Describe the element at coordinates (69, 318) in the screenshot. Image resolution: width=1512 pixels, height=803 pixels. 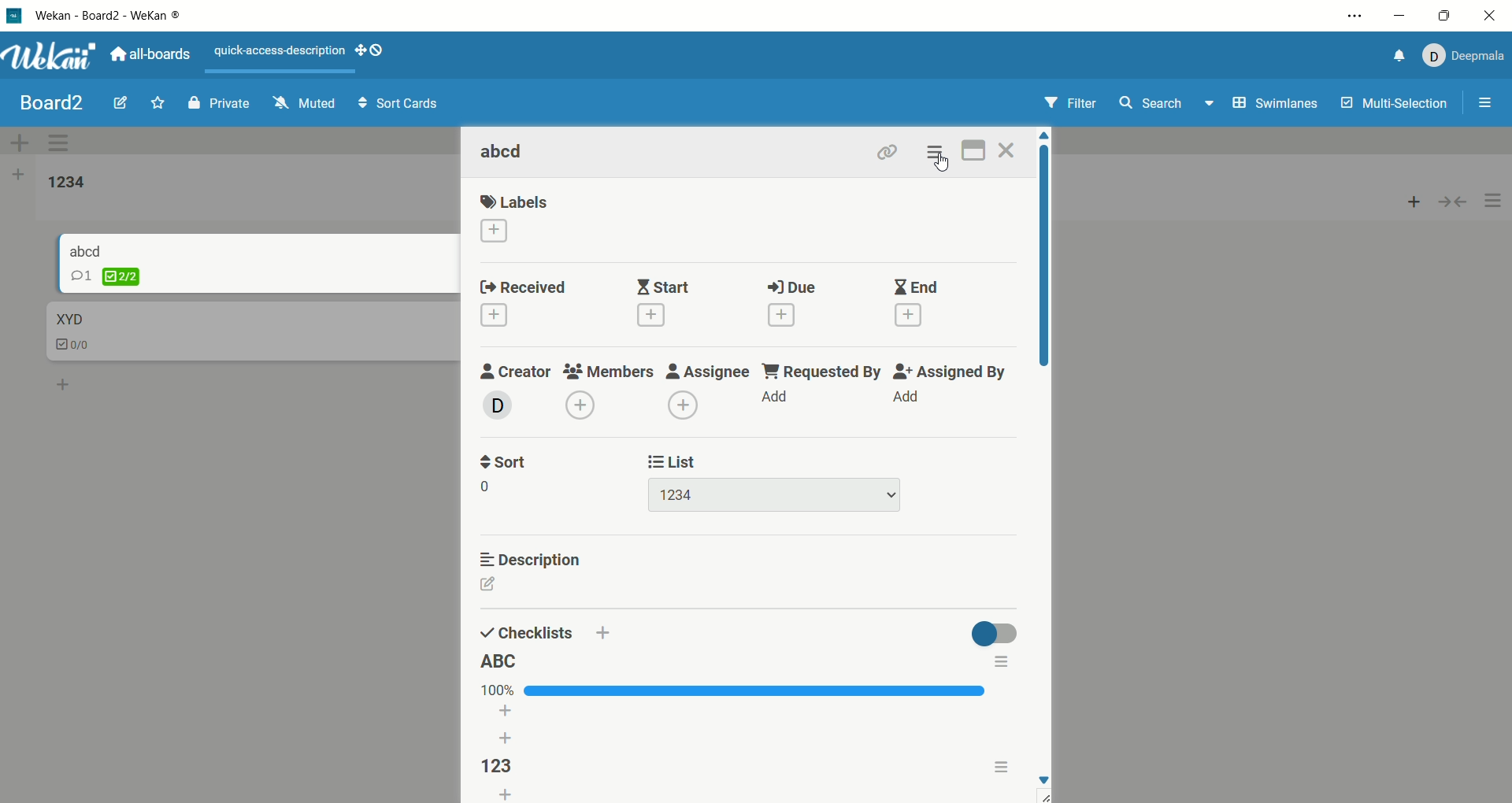
I see `card title` at that location.